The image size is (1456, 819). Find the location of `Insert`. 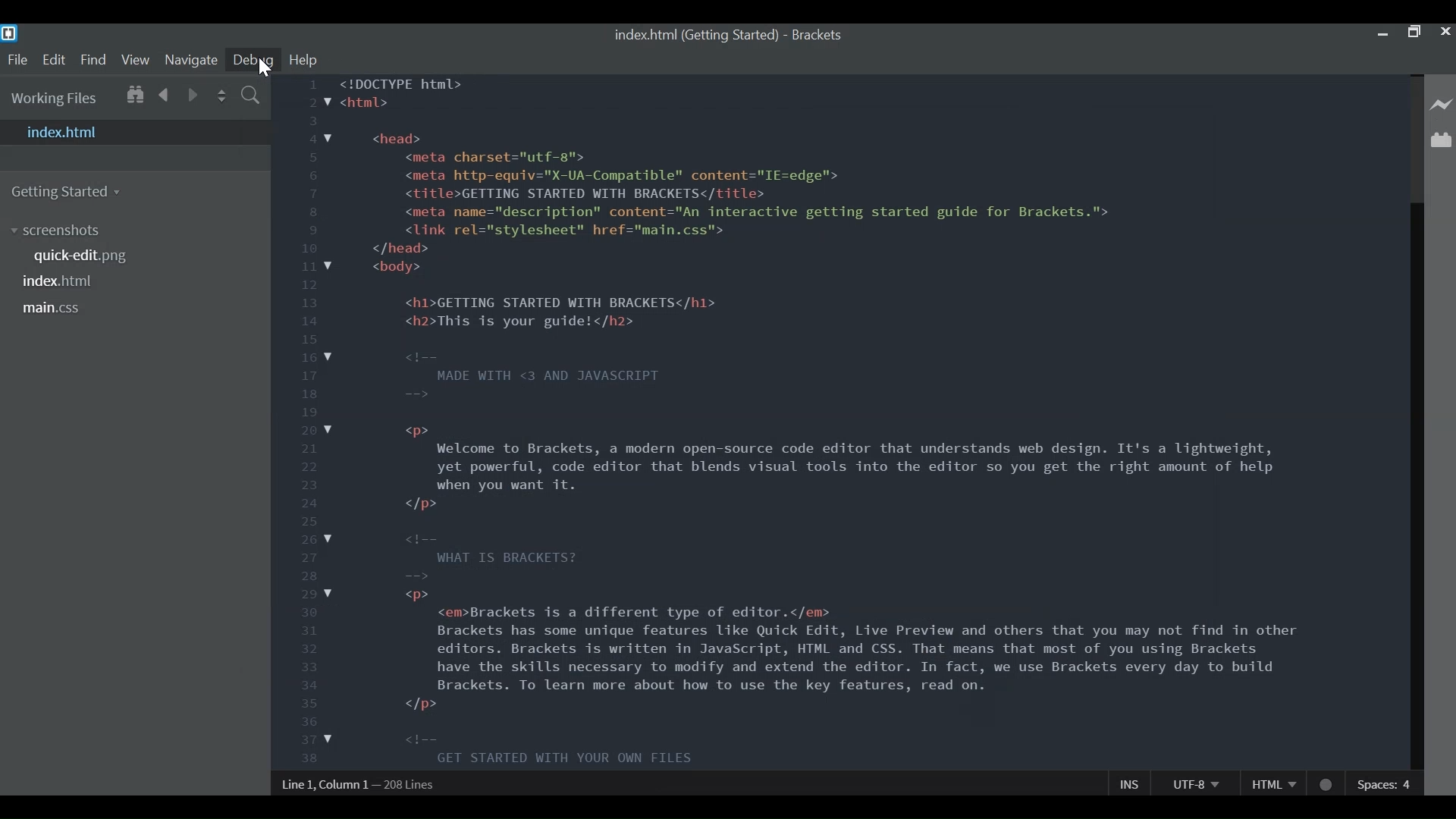

Insert is located at coordinates (1129, 783).